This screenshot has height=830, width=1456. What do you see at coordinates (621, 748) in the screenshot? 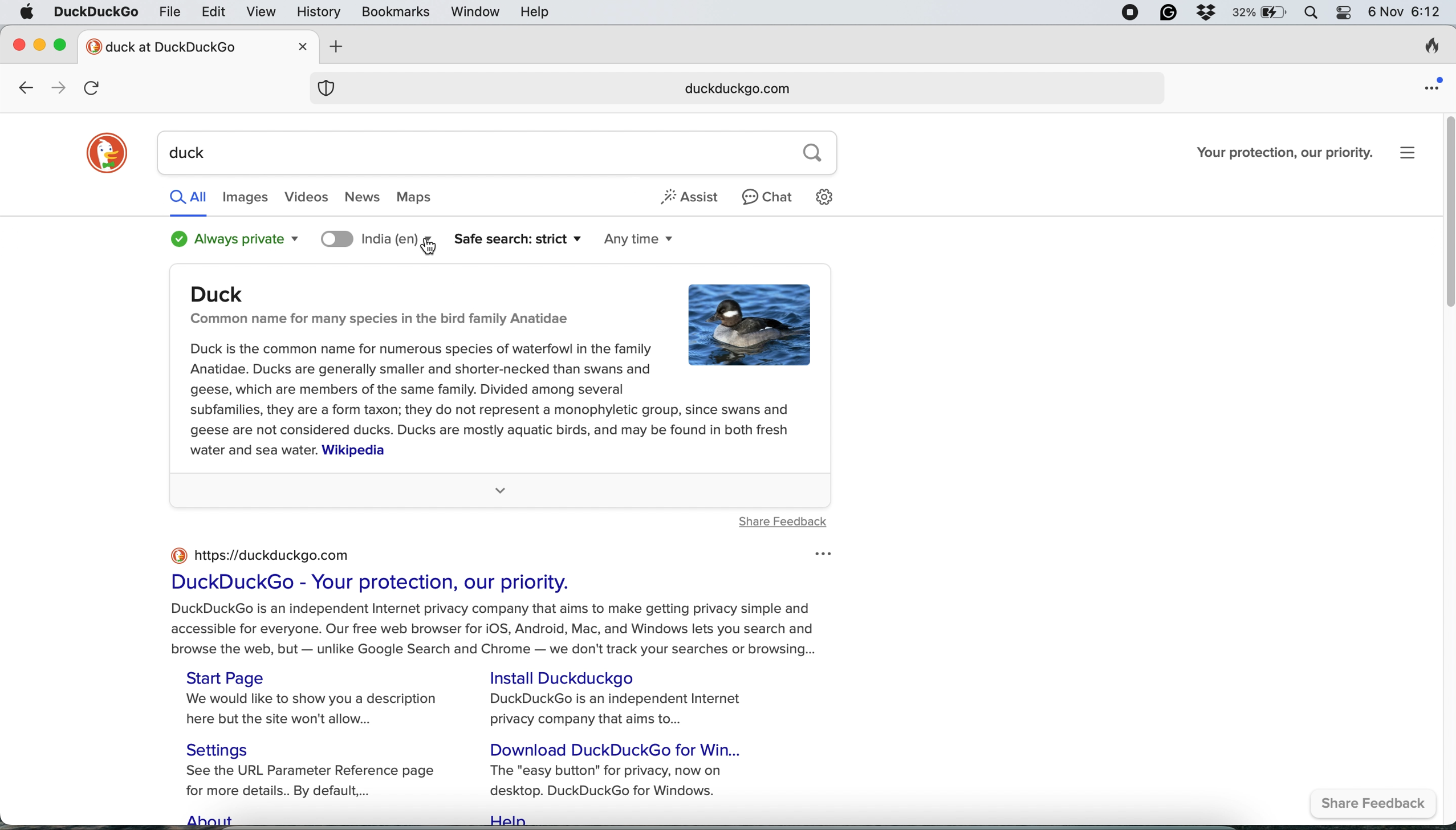
I see `Download DuckDuckGo for Win...` at bounding box center [621, 748].